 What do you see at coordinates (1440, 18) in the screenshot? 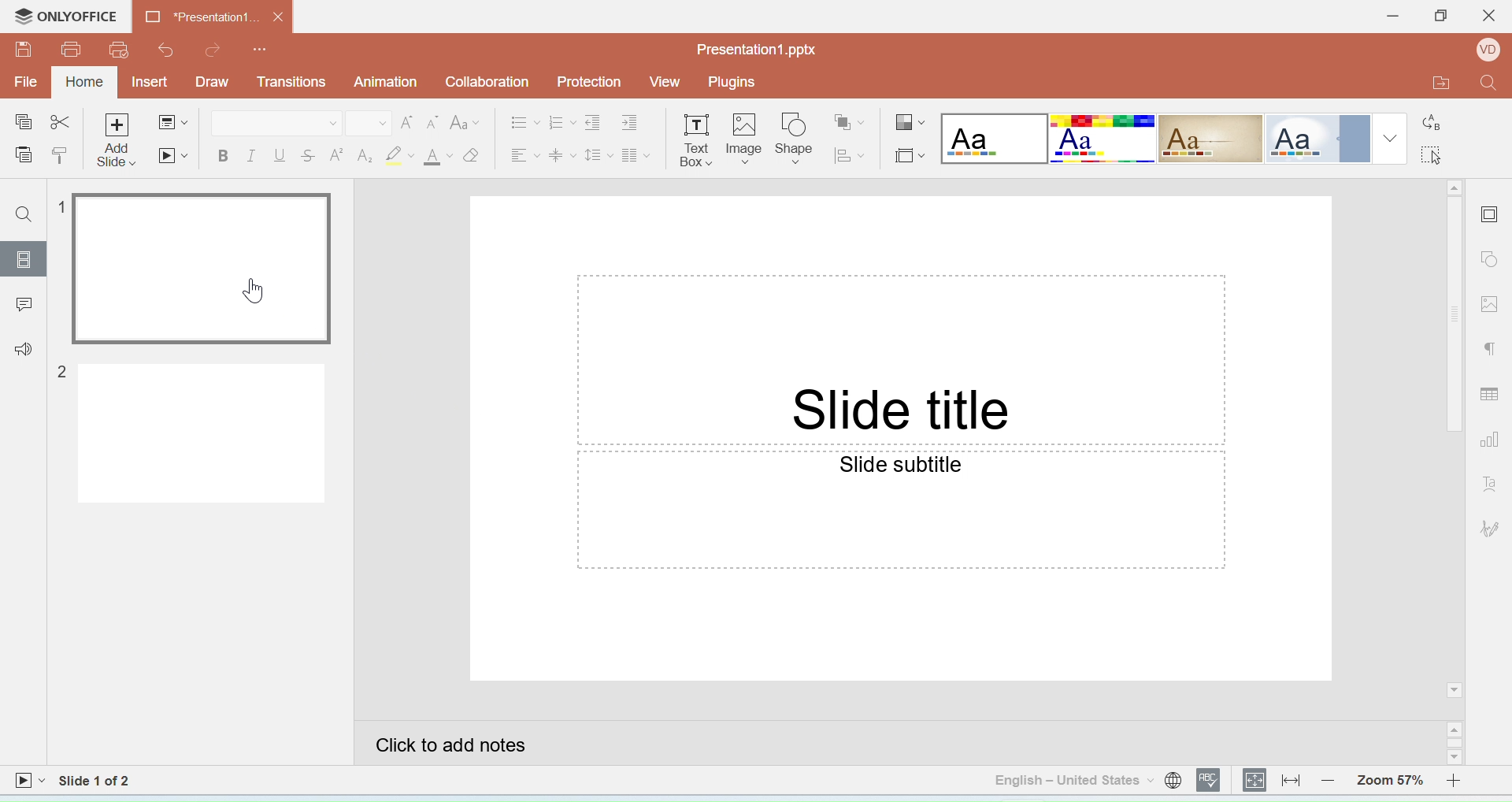
I see `Maximize` at bounding box center [1440, 18].